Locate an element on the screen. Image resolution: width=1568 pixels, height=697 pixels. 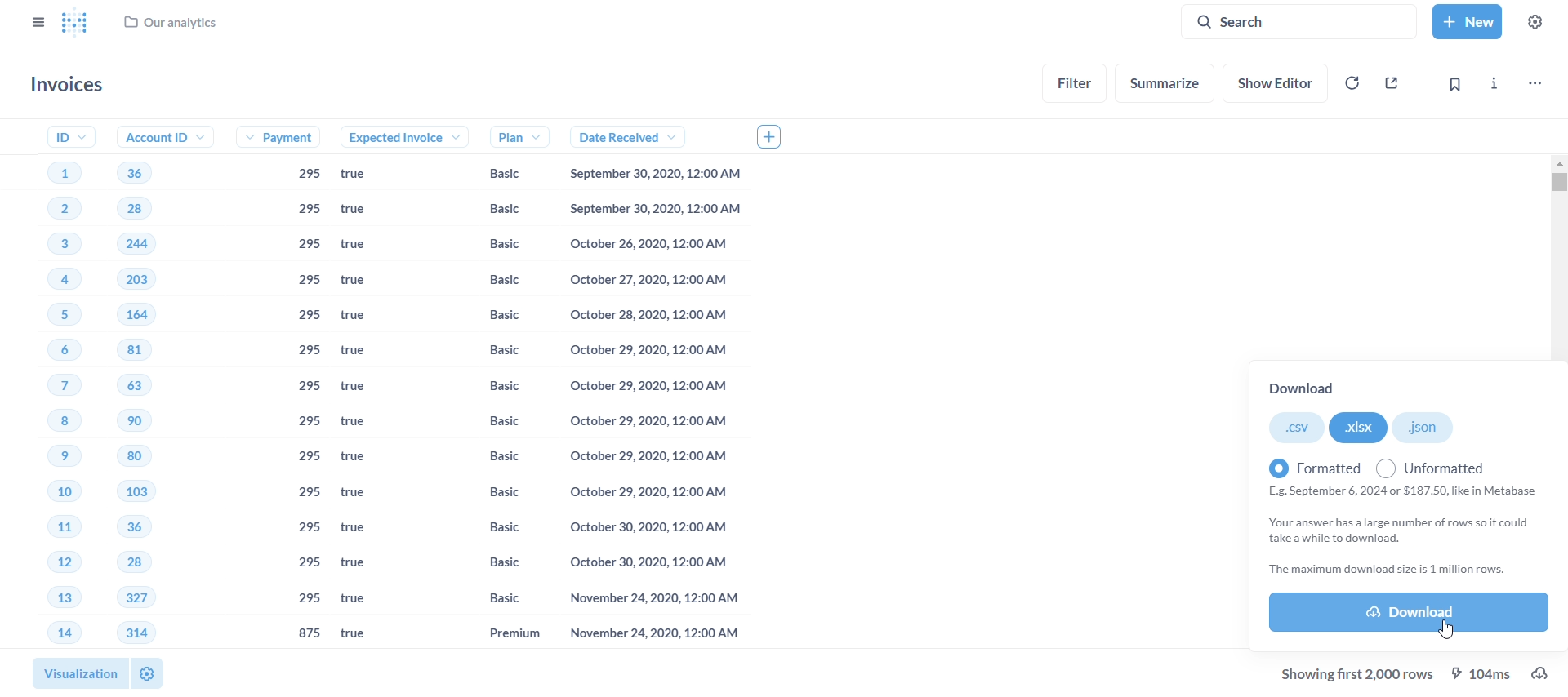
show editor is located at coordinates (1279, 81).